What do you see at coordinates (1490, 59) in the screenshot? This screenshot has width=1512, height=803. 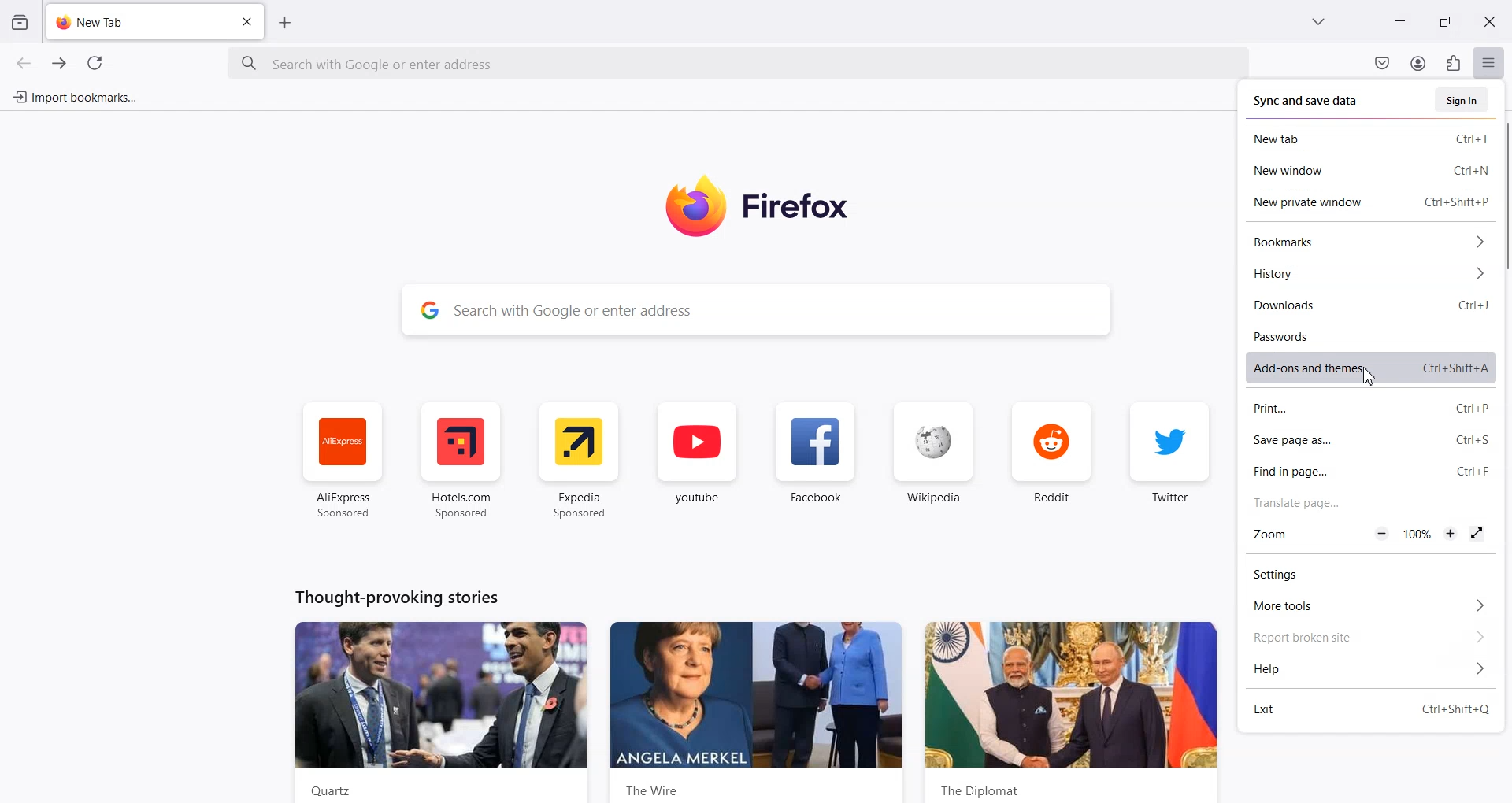 I see `Open Application Menu` at bounding box center [1490, 59].